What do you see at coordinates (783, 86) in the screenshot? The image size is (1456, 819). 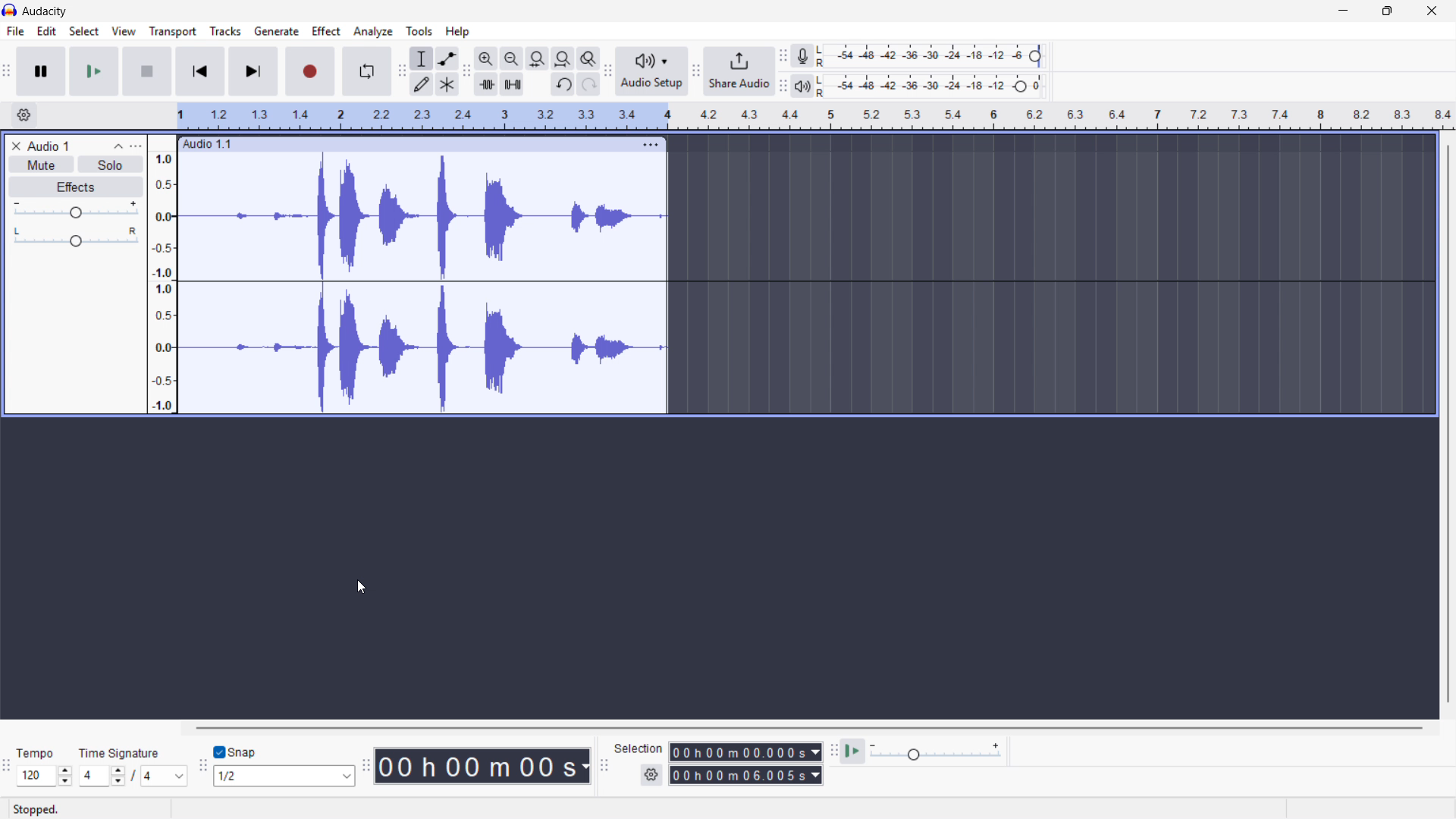 I see `Playback metre toolbar` at bounding box center [783, 86].